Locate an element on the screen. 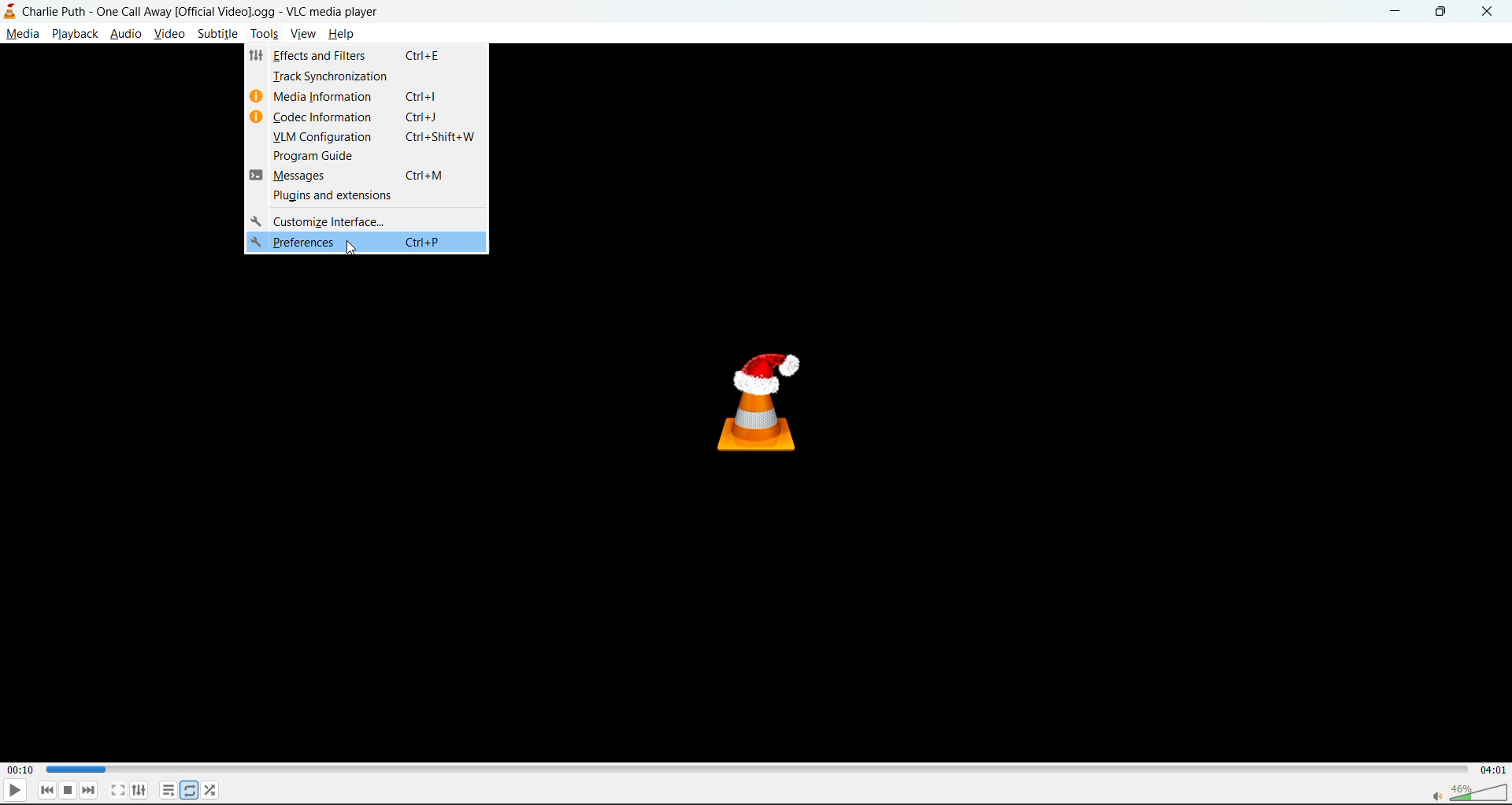 This screenshot has height=805, width=1512. thumbnail is located at coordinates (759, 398).